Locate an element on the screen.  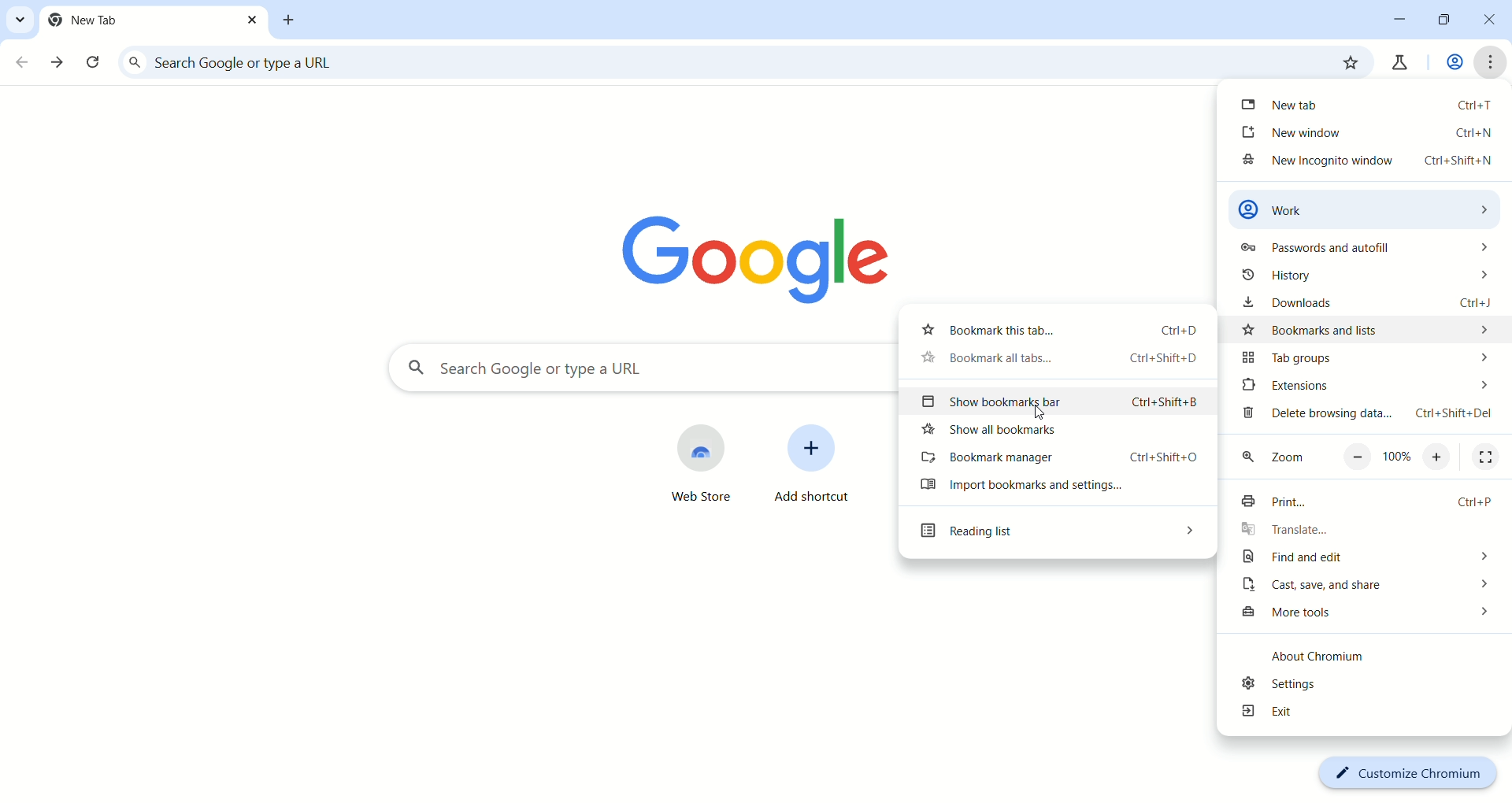
bookmarks and lists is located at coordinates (1369, 328).